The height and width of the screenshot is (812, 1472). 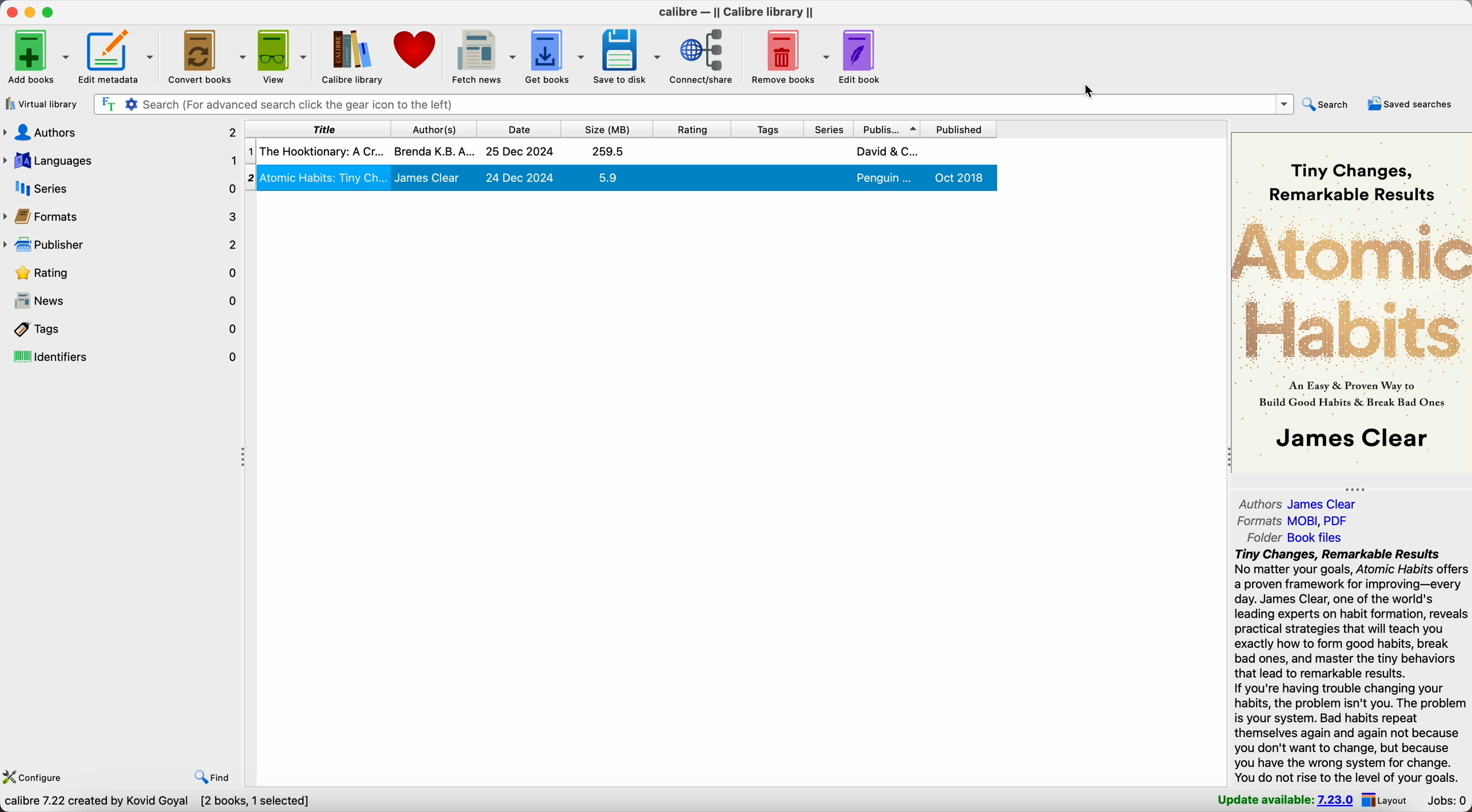 What do you see at coordinates (1411, 105) in the screenshot?
I see `saved searches` at bounding box center [1411, 105].